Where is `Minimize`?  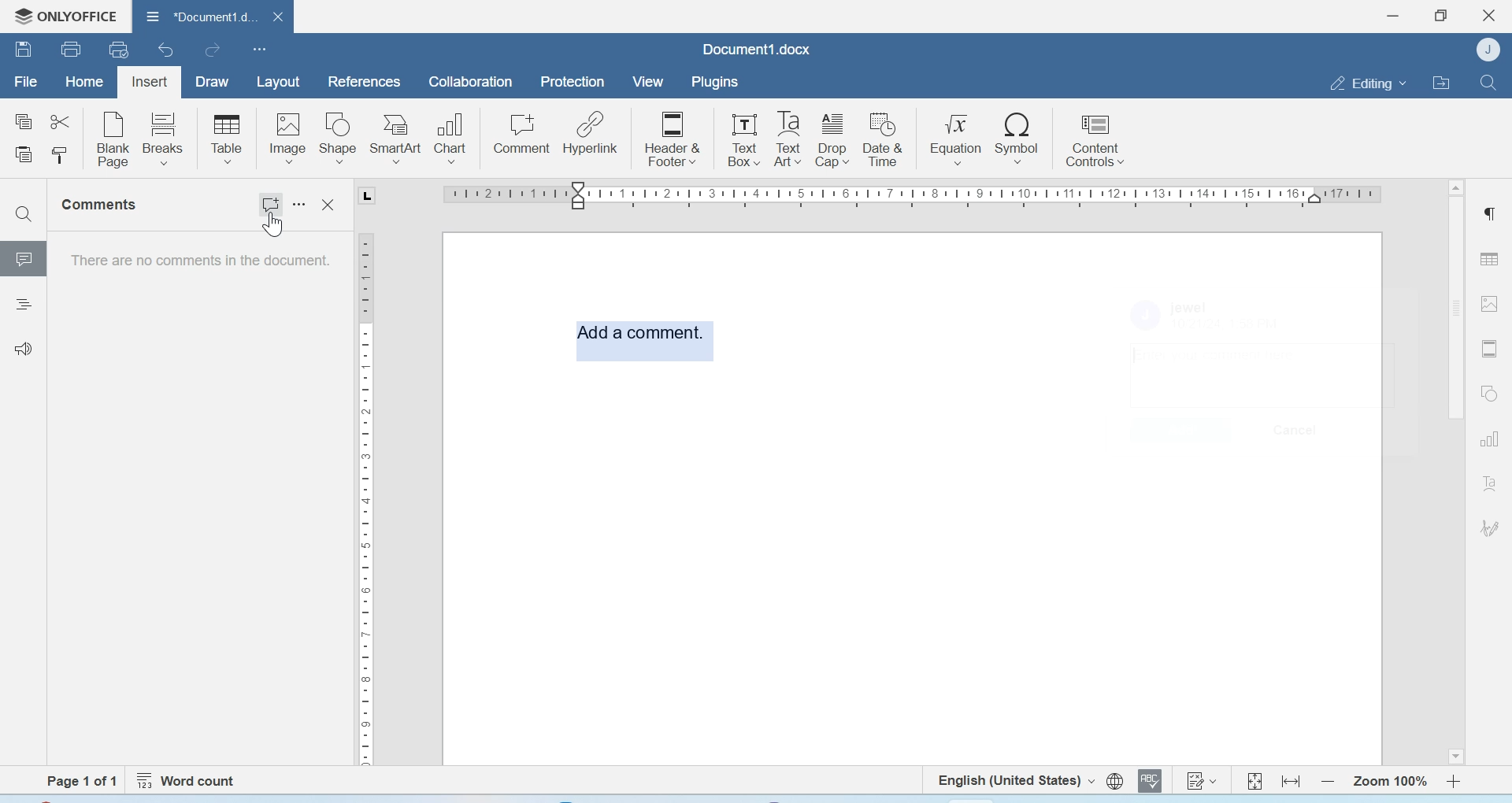
Minimize is located at coordinates (1395, 16).